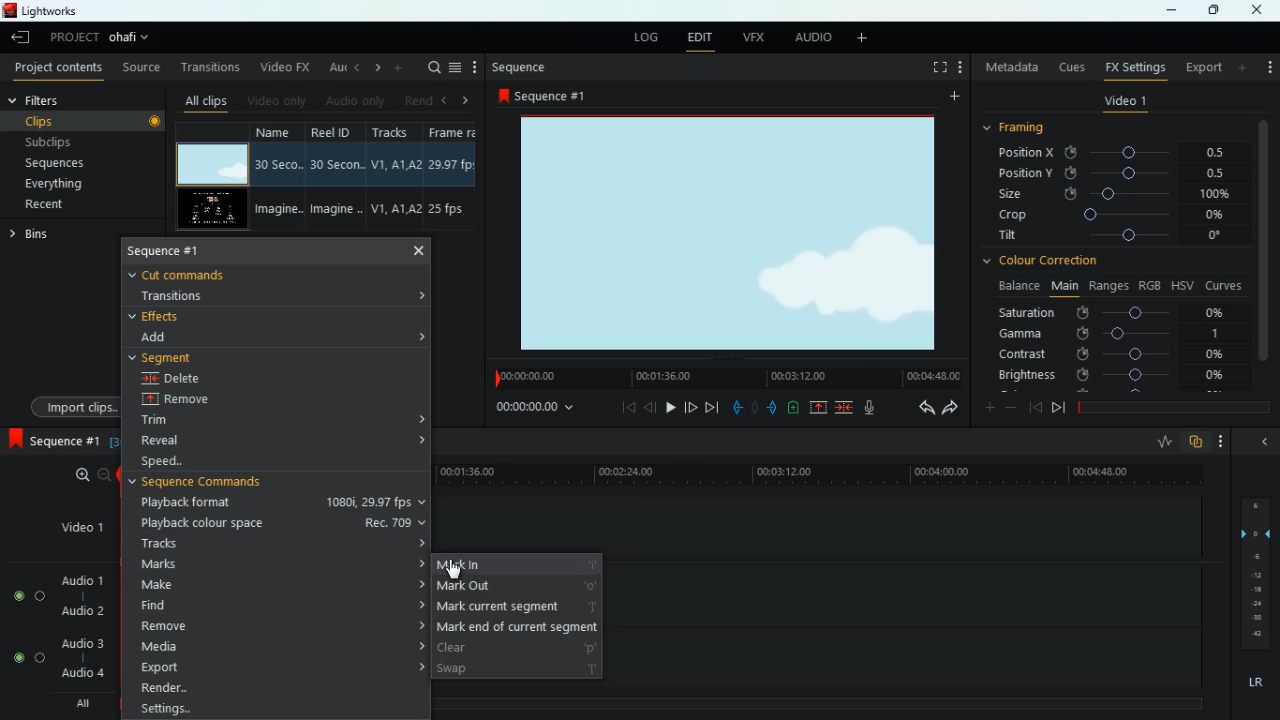 Image resolution: width=1280 pixels, height=720 pixels. I want to click on more, so click(477, 66).